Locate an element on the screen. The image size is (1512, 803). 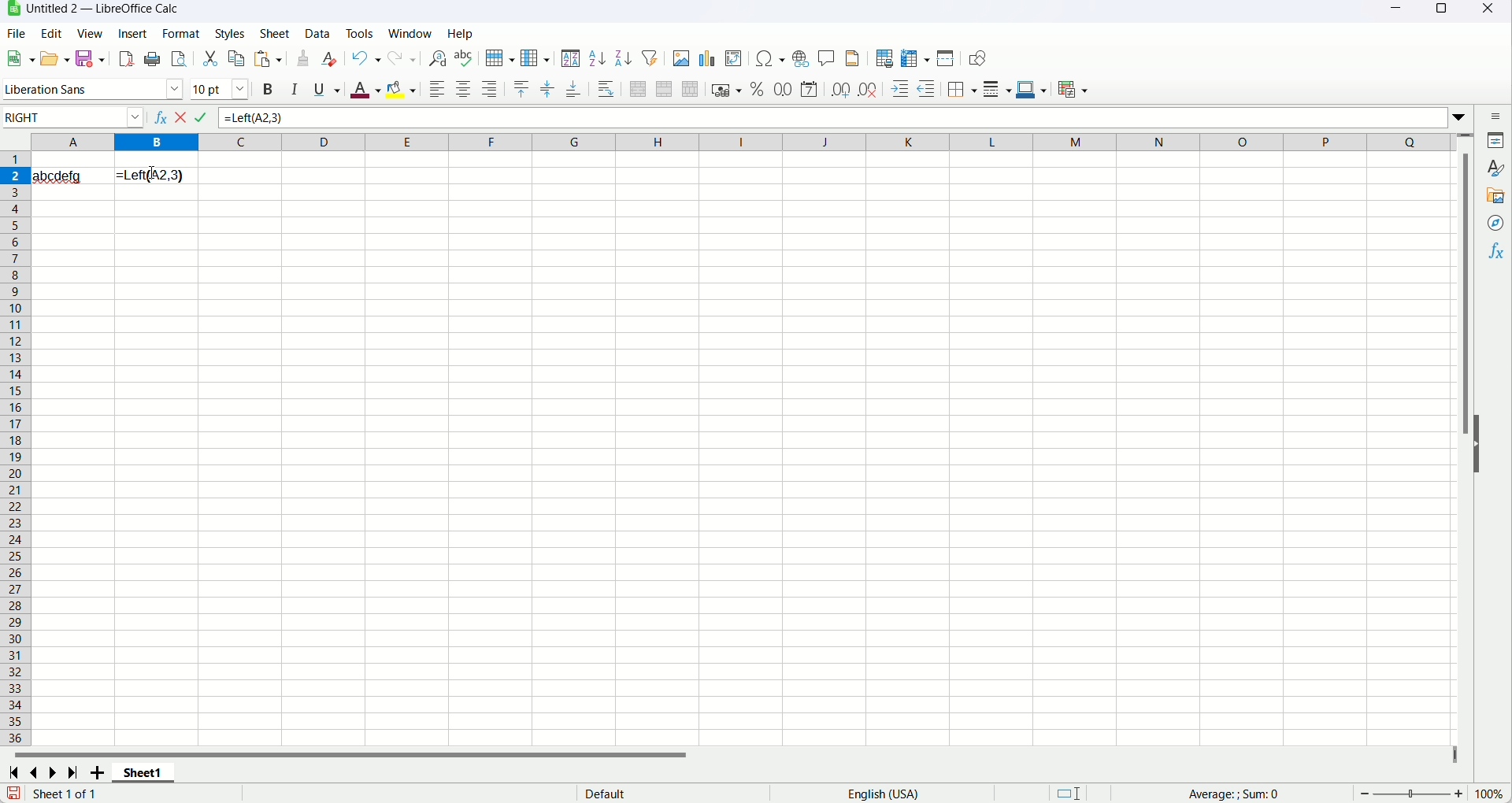
insert hyperlink is located at coordinates (799, 59).